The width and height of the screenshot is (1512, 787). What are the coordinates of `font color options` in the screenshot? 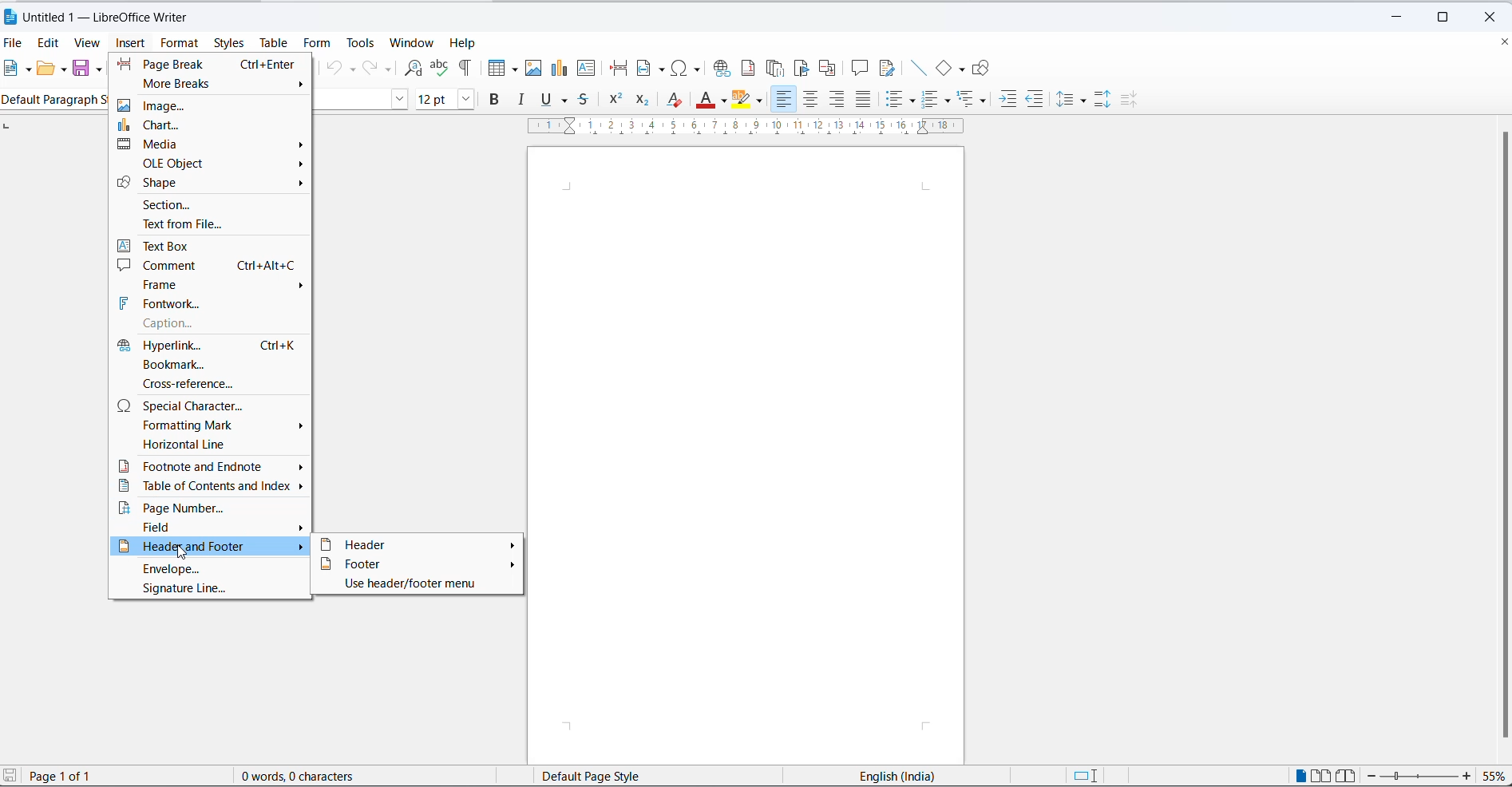 It's located at (726, 103).